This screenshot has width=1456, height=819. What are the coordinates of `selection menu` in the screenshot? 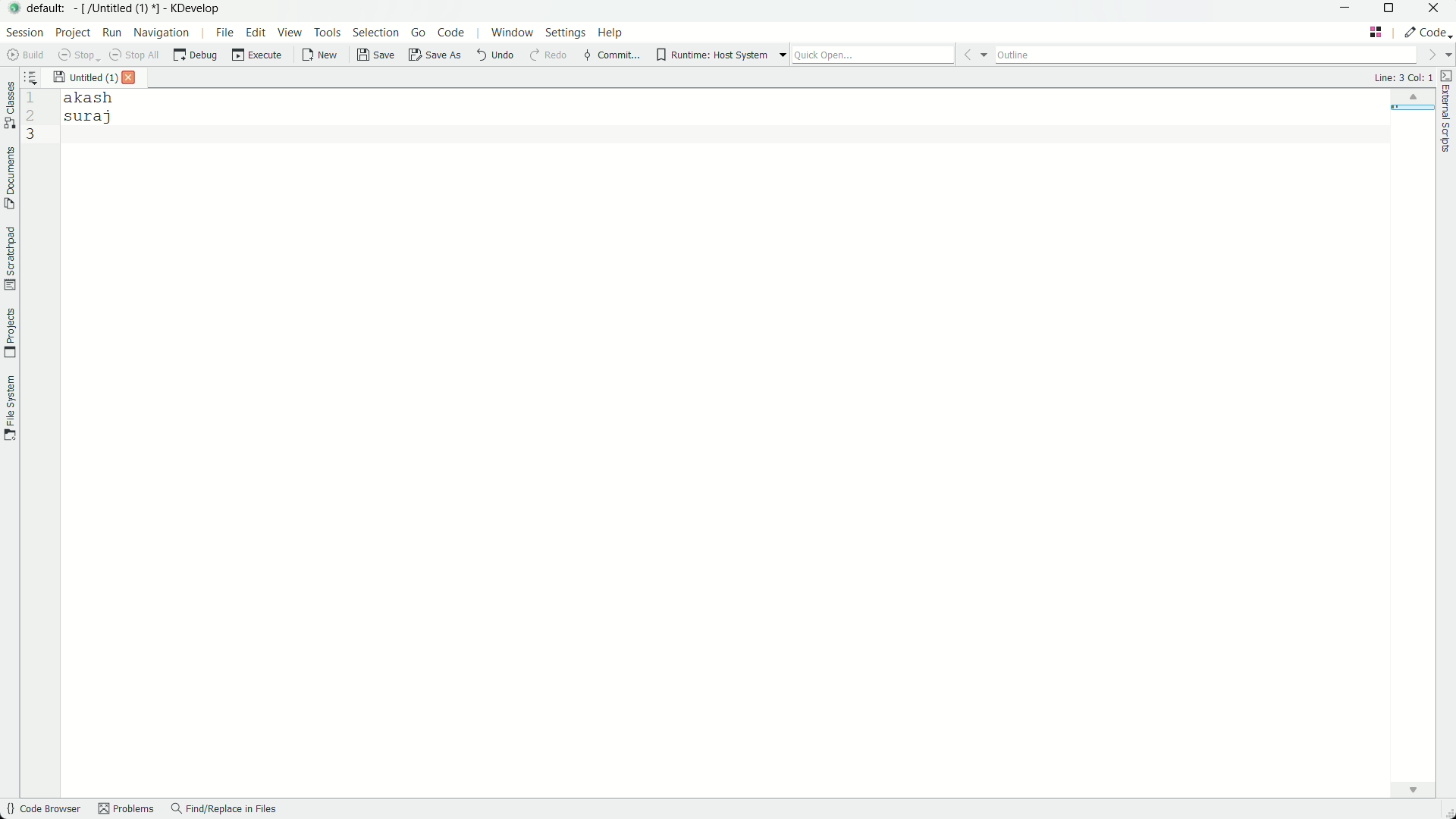 It's located at (378, 34).